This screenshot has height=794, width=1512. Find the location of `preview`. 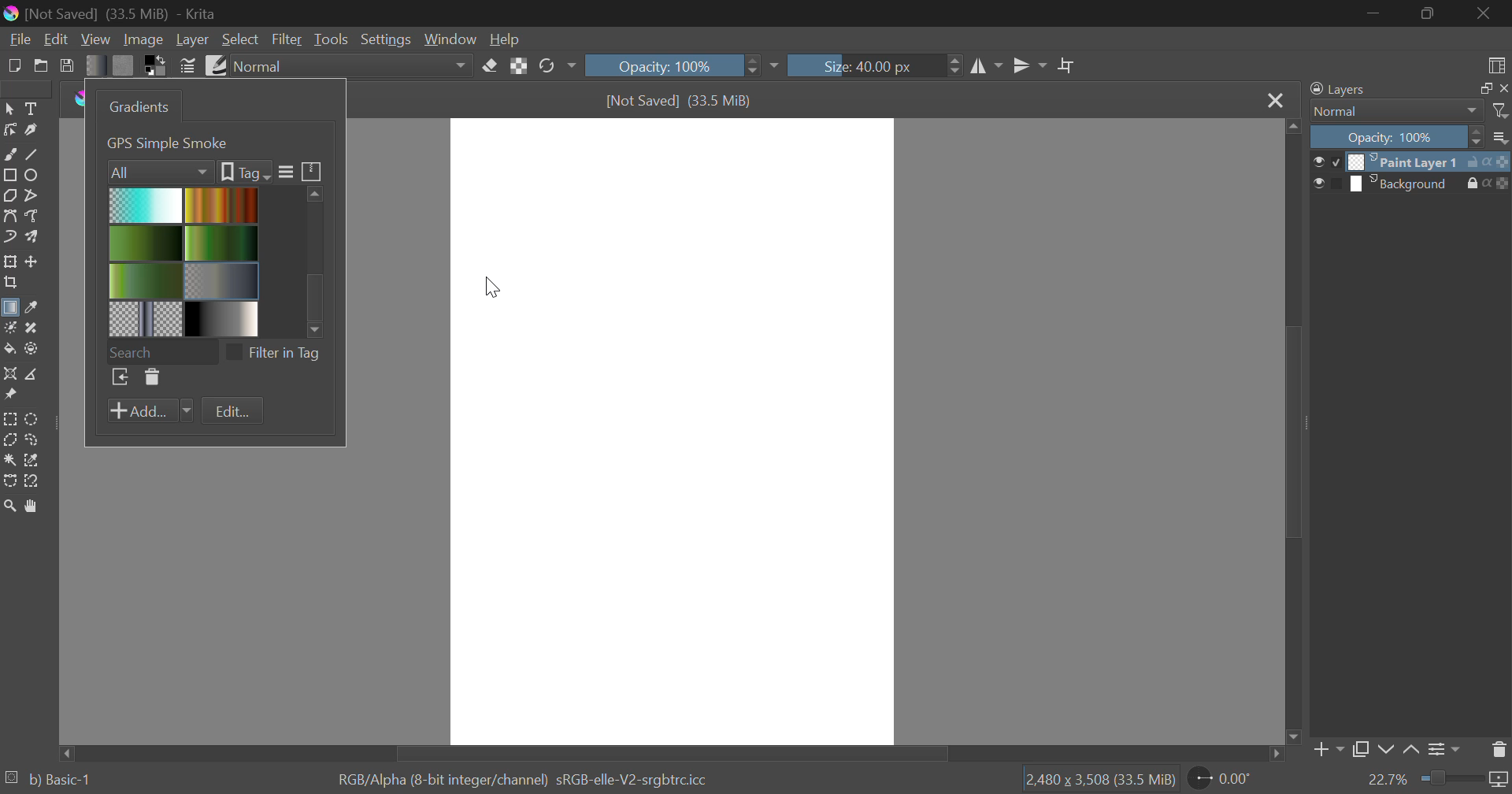

preview is located at coordinates (1328, 184).